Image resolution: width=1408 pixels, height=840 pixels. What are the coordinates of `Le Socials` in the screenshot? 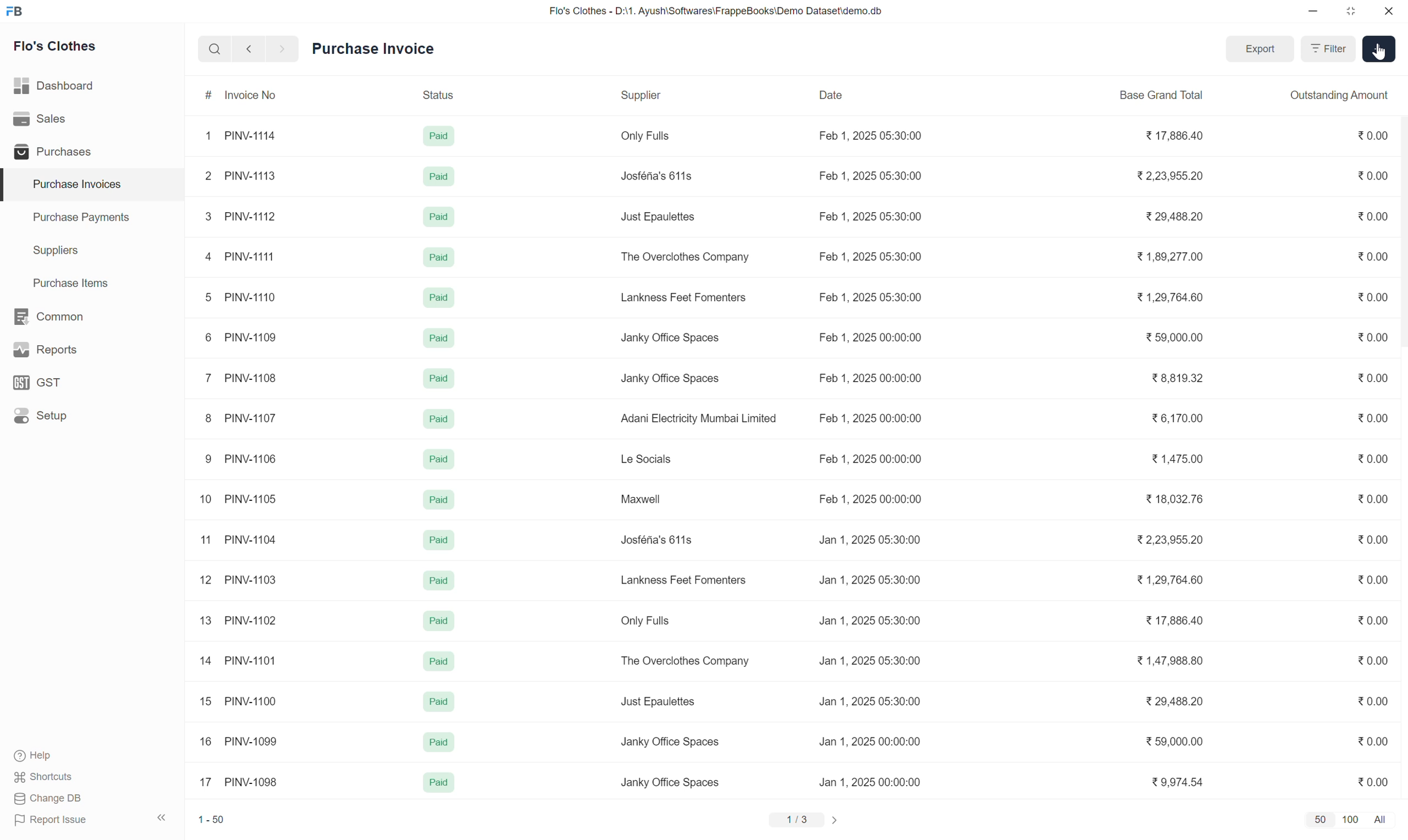 It's located at (649, 458).